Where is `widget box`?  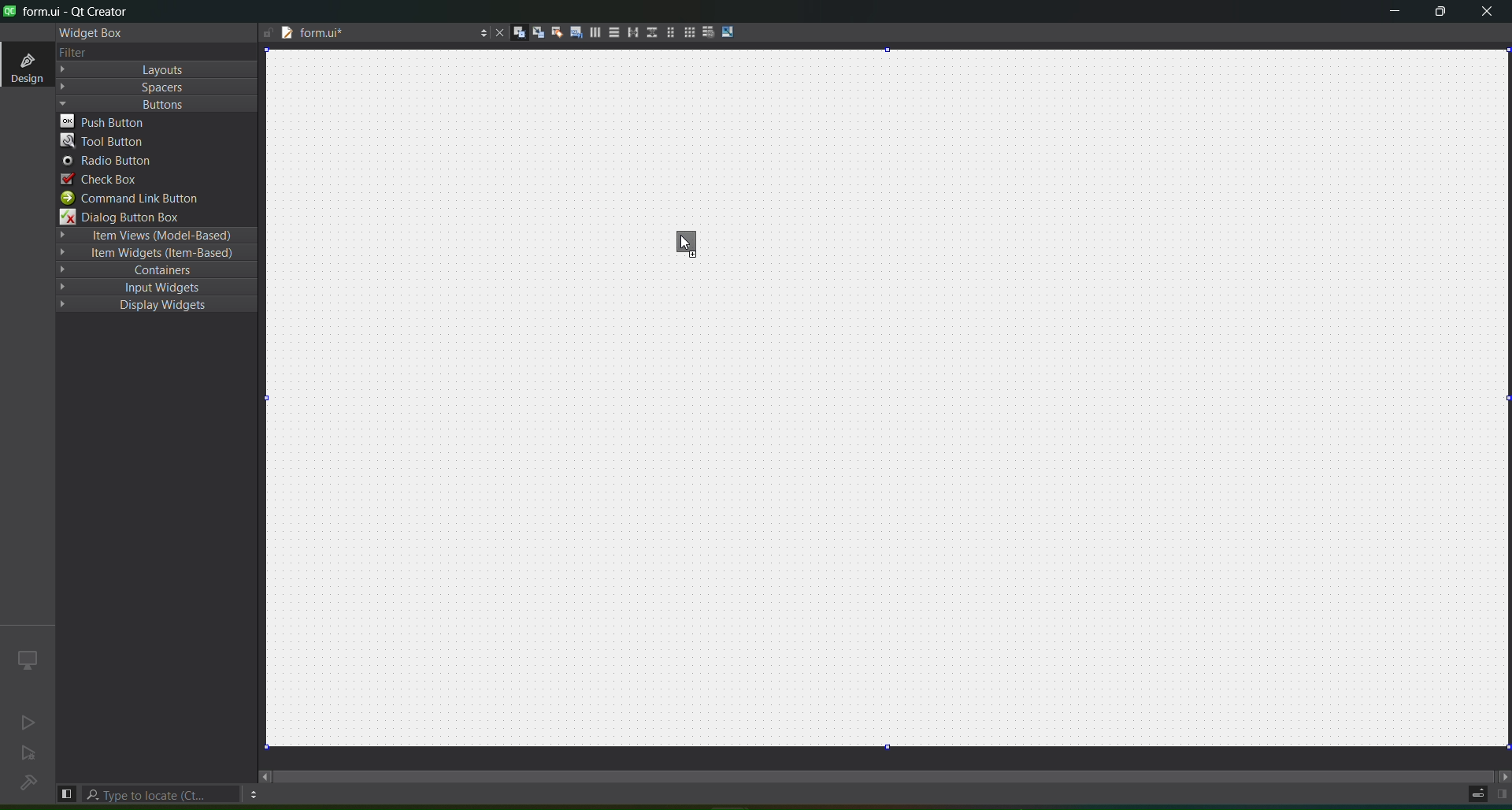 widget box is located at coordinates (95, 35).